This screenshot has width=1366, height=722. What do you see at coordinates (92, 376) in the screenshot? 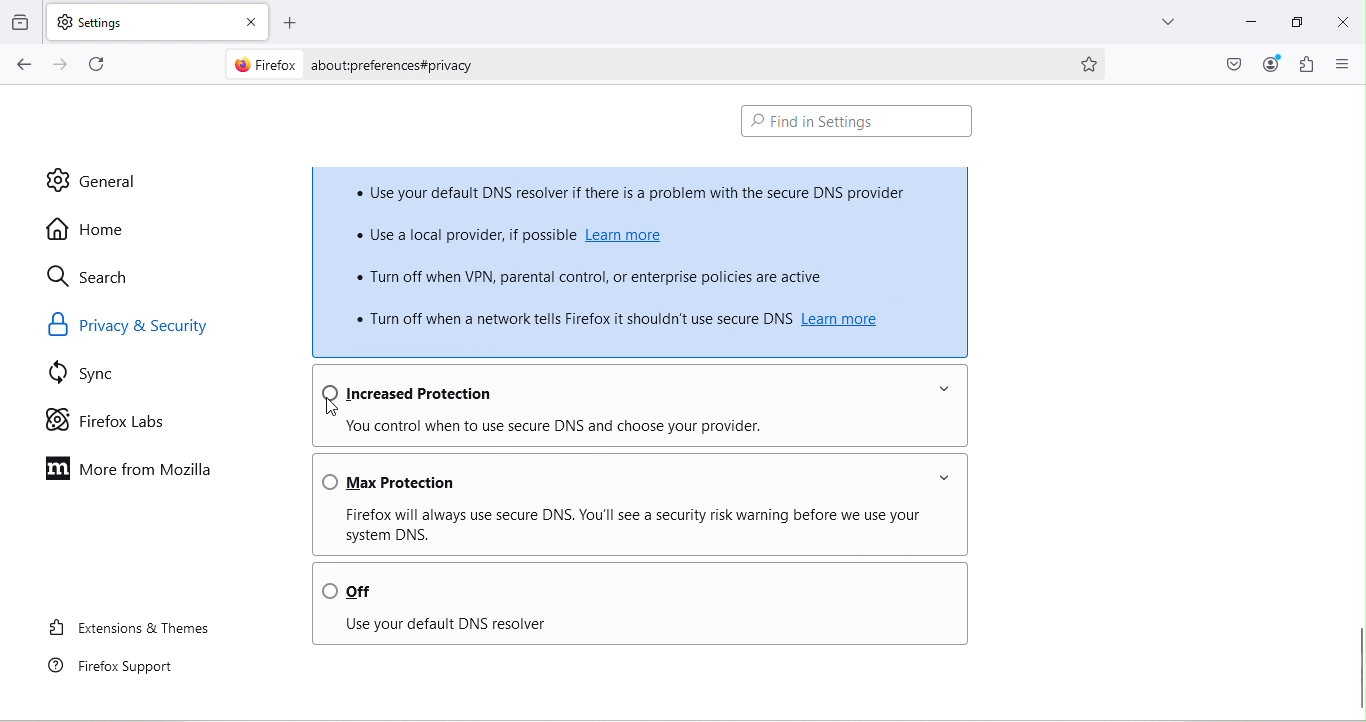
I see `Sync` at bounding box center [92, 376].